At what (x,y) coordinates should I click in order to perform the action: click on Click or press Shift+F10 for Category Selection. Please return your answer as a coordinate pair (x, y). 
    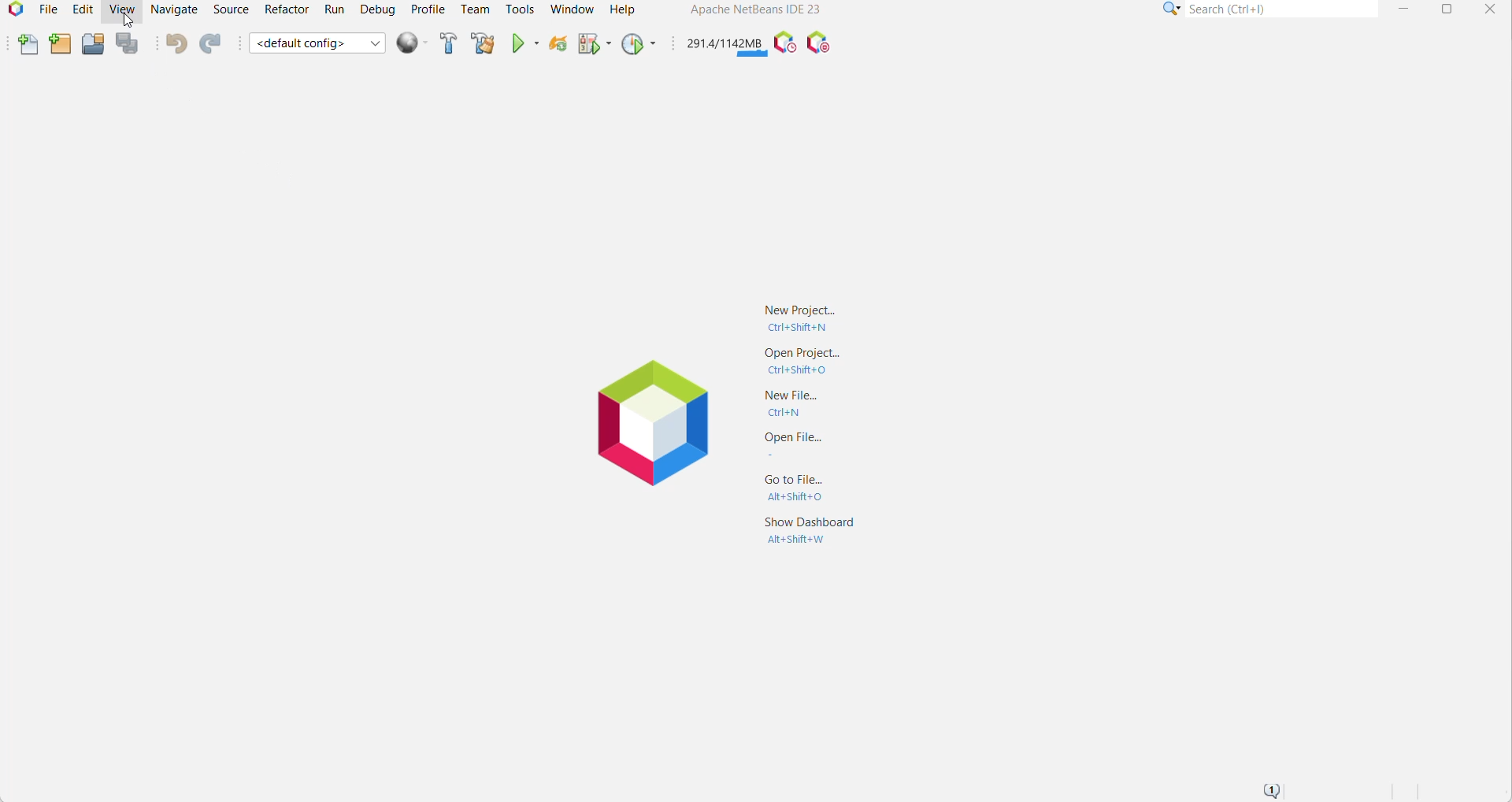
    Looking at the image, I should click on (1172, 9).